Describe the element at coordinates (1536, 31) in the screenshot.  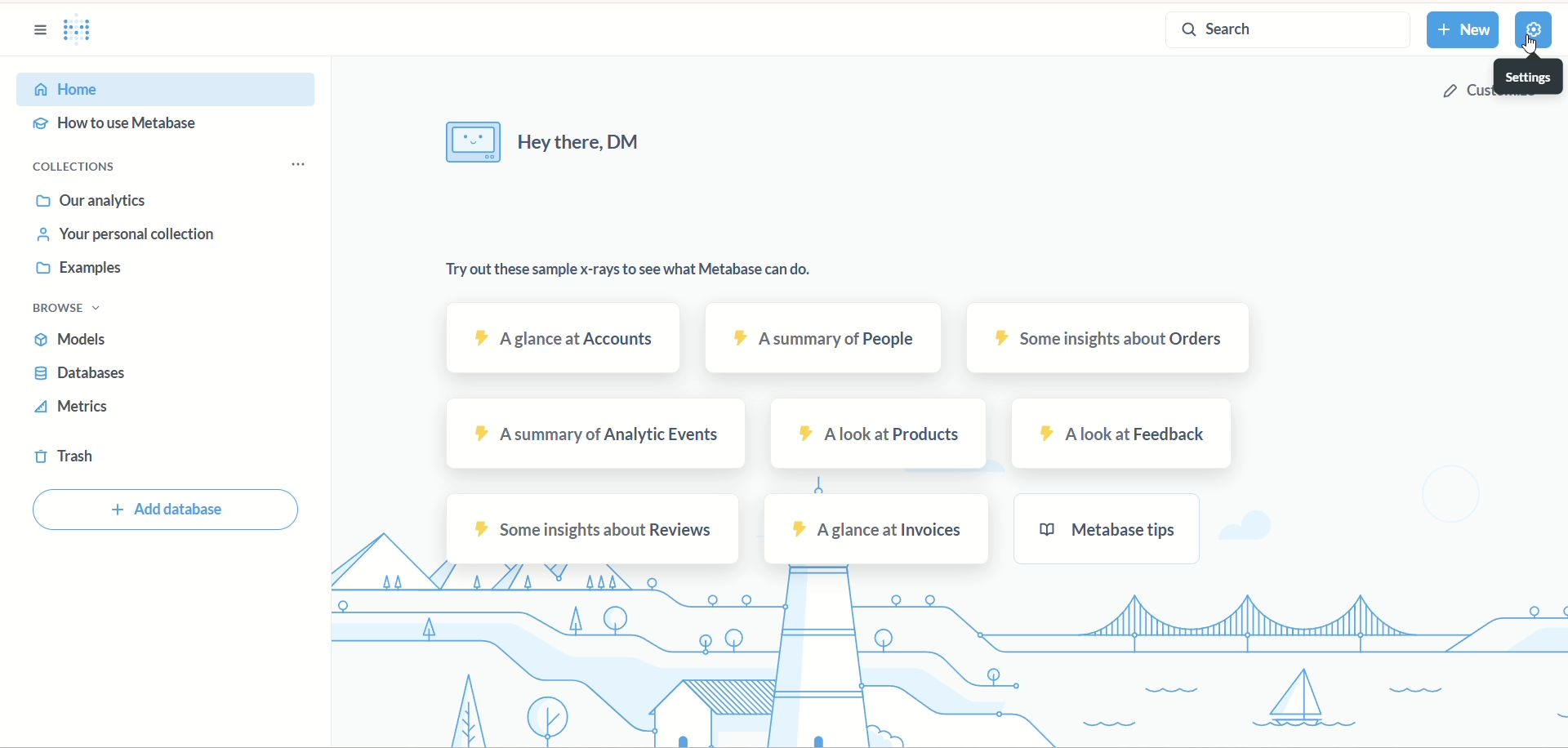
I see `settings` at that location.